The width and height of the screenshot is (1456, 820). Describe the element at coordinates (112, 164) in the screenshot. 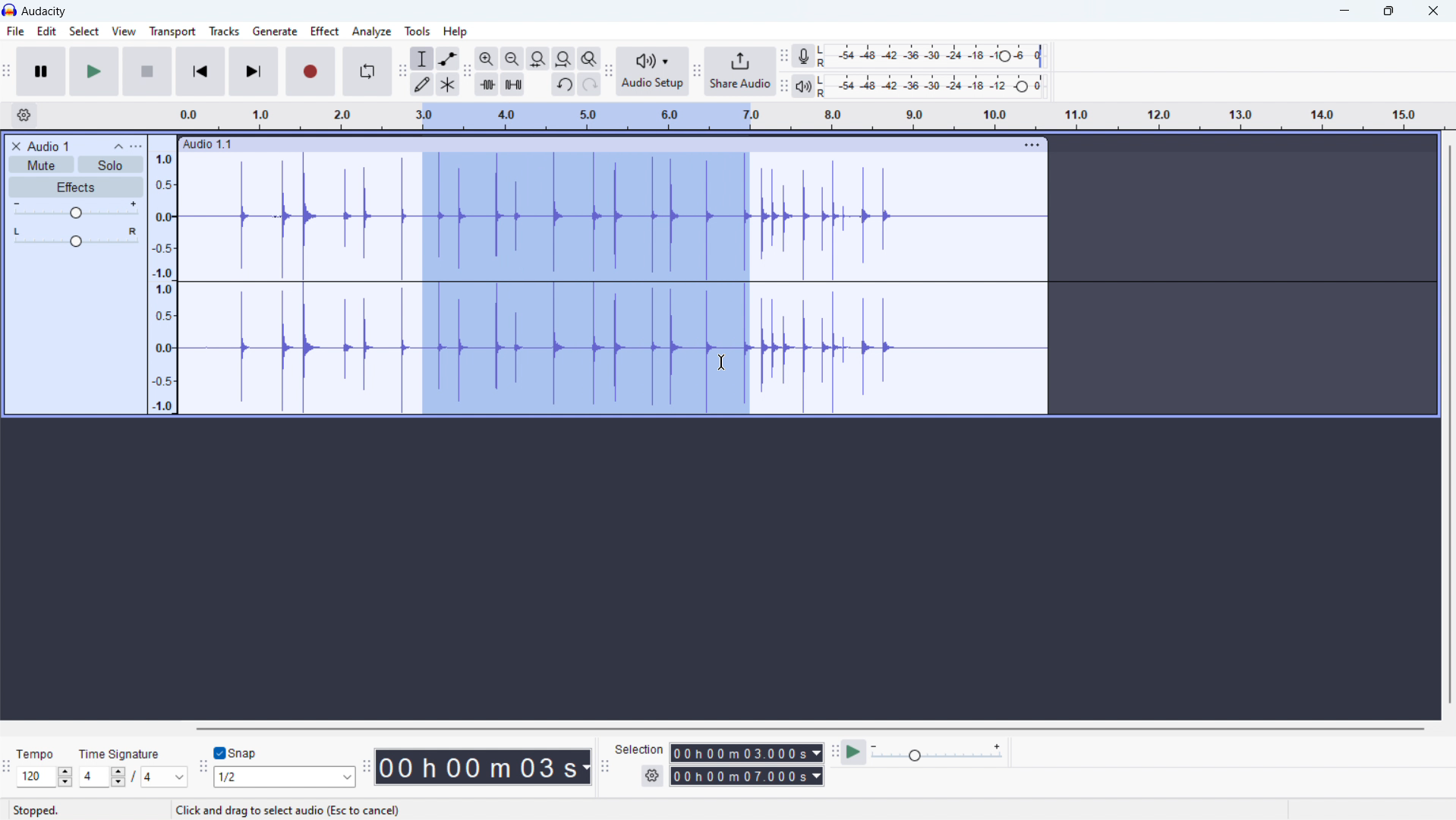

I see `solo` at that location.